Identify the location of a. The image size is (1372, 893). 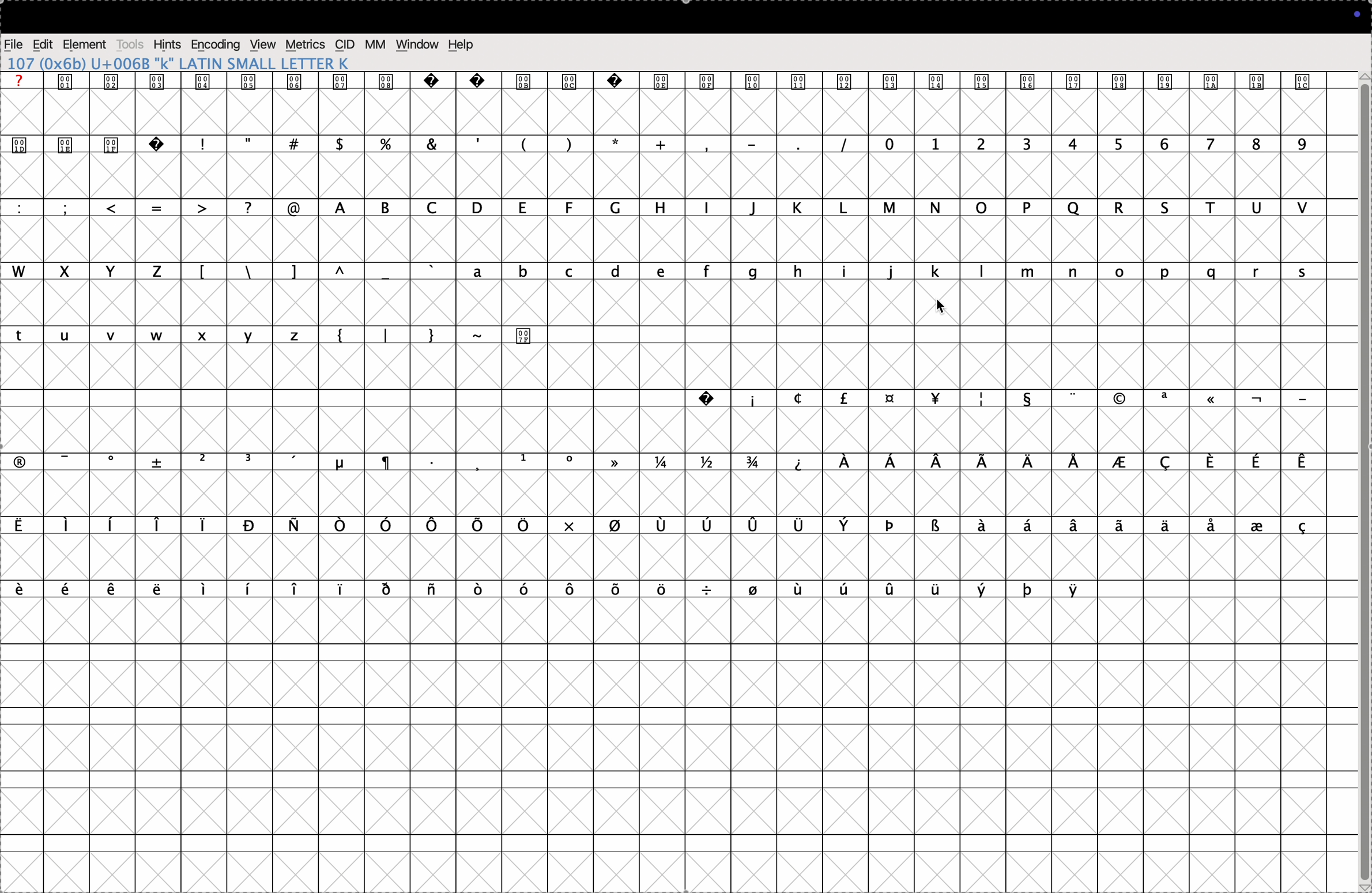
(481, 273).